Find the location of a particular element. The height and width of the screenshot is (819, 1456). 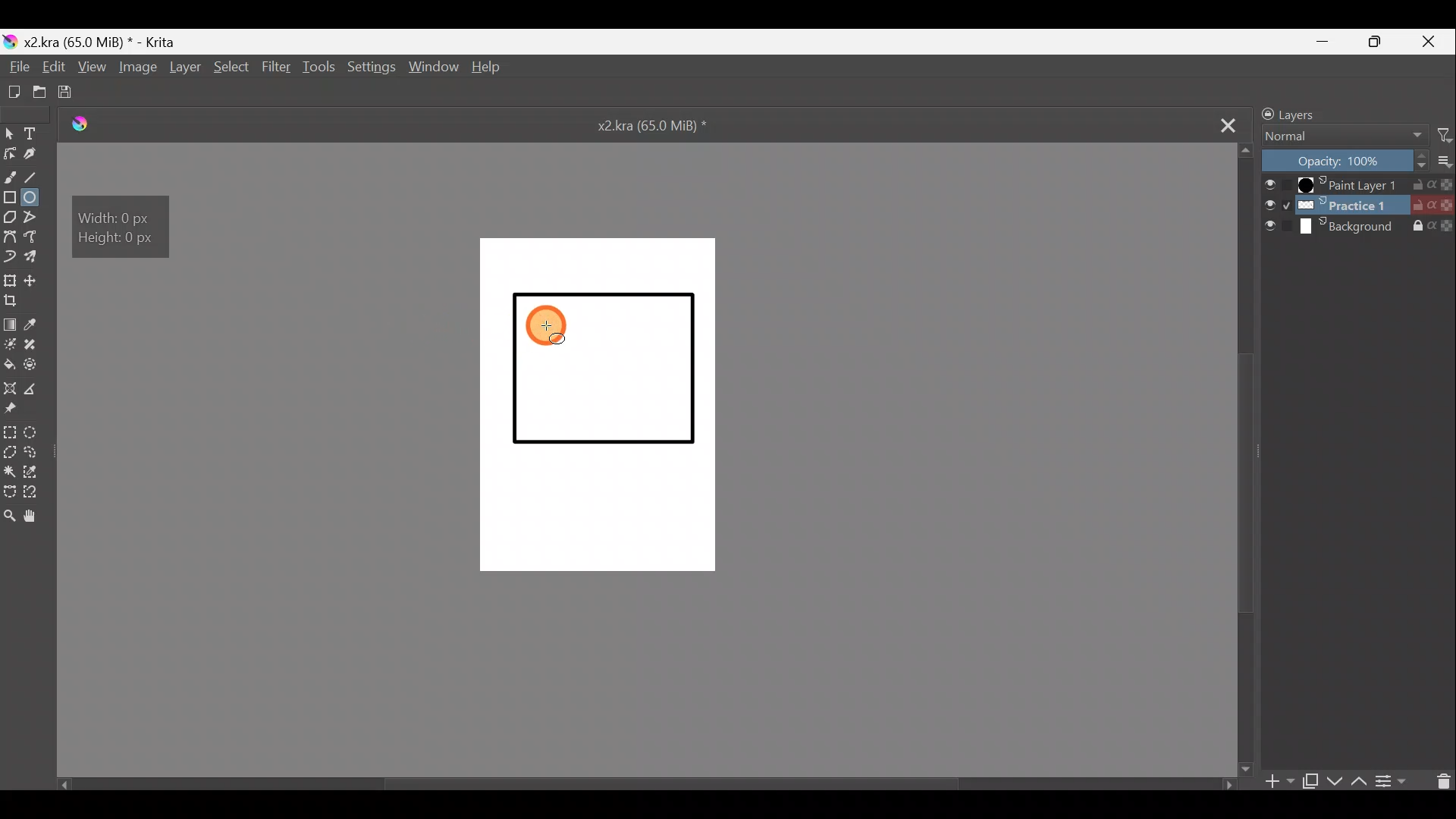

Bezier curve selection tool is located at coordinates (9, 491).